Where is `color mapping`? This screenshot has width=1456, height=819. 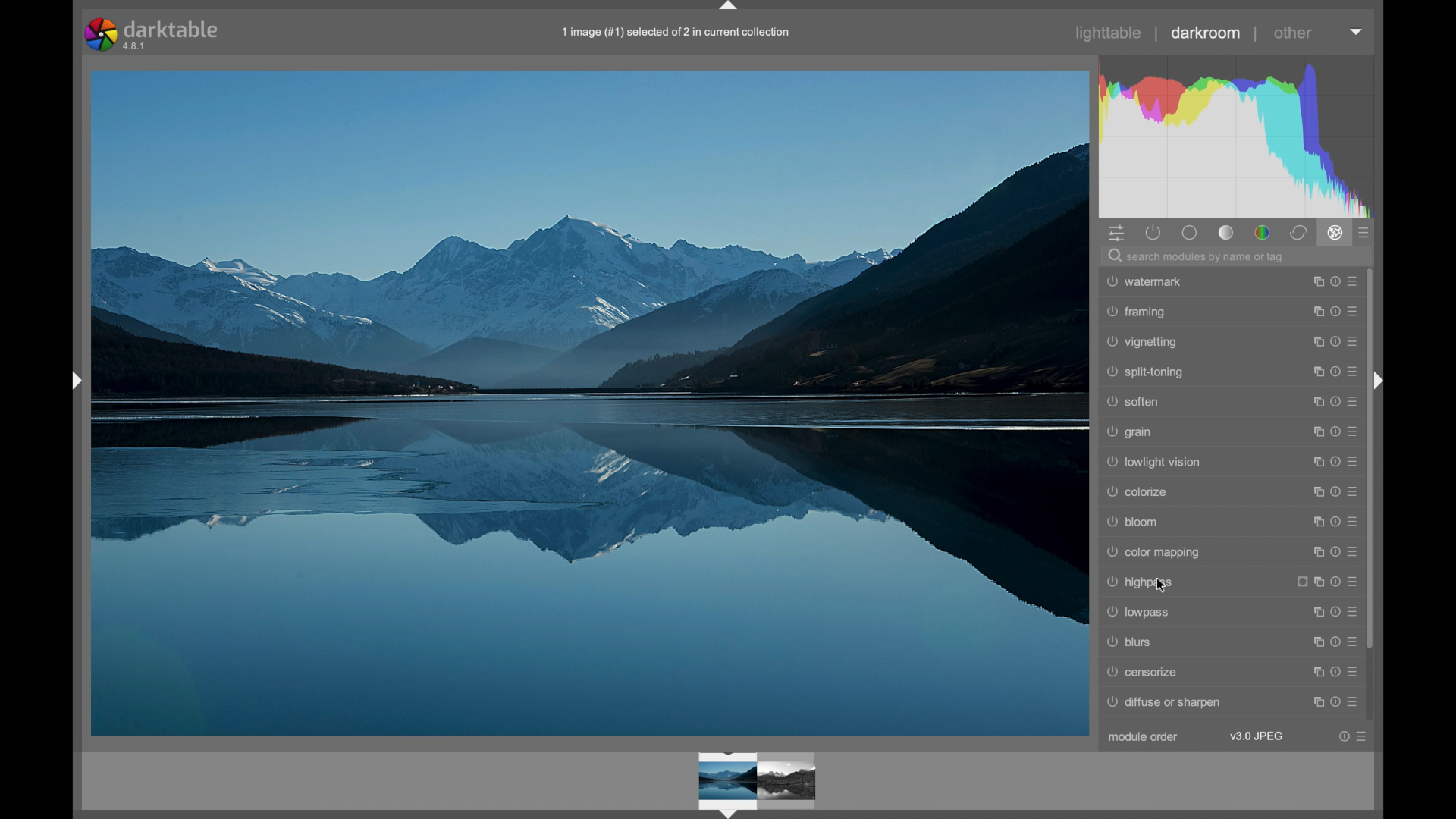
color mapping is located at coordinates (1156, 553).